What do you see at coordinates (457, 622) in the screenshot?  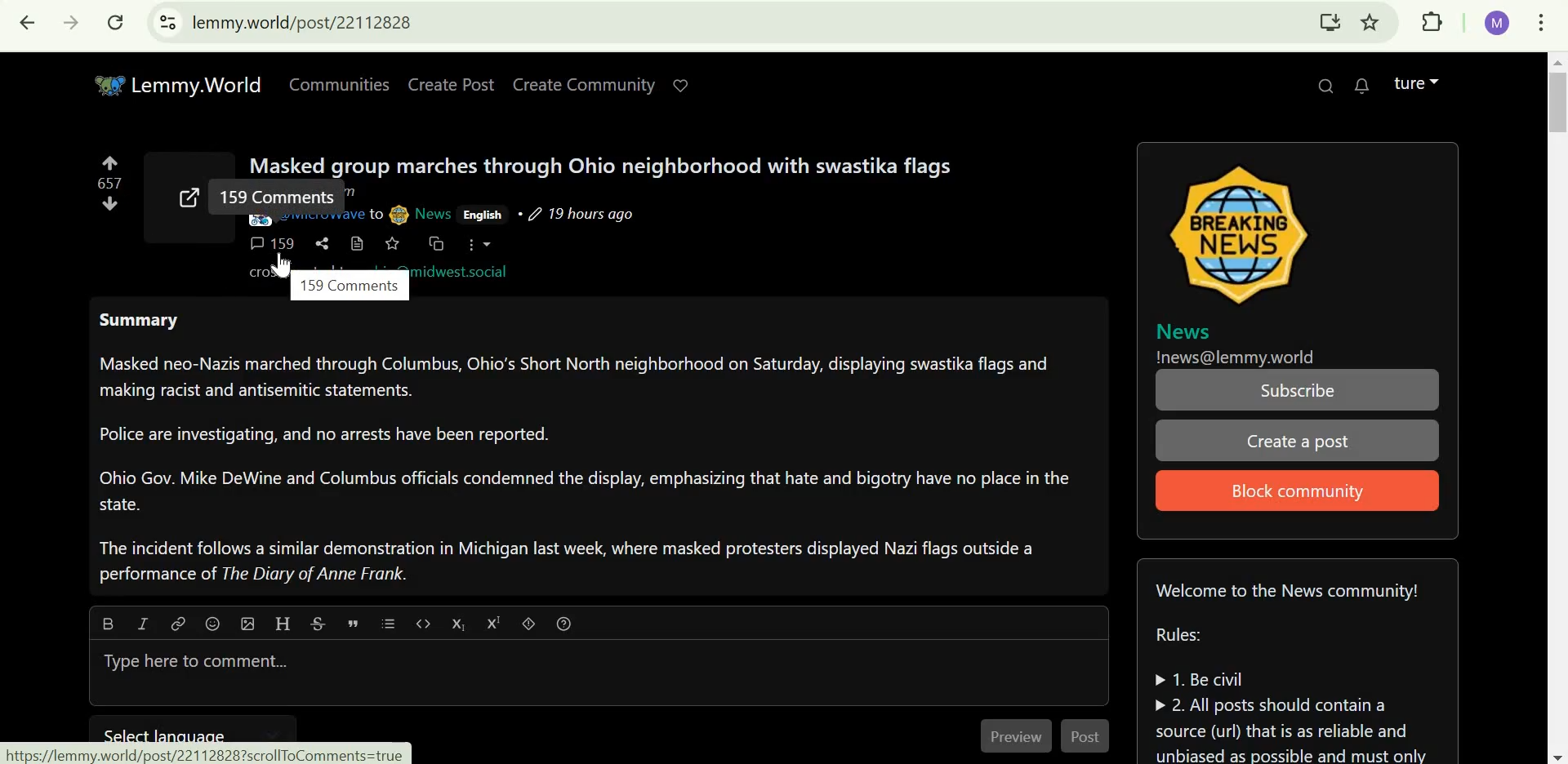 I see `subscript` at bounding box center [457, 622].